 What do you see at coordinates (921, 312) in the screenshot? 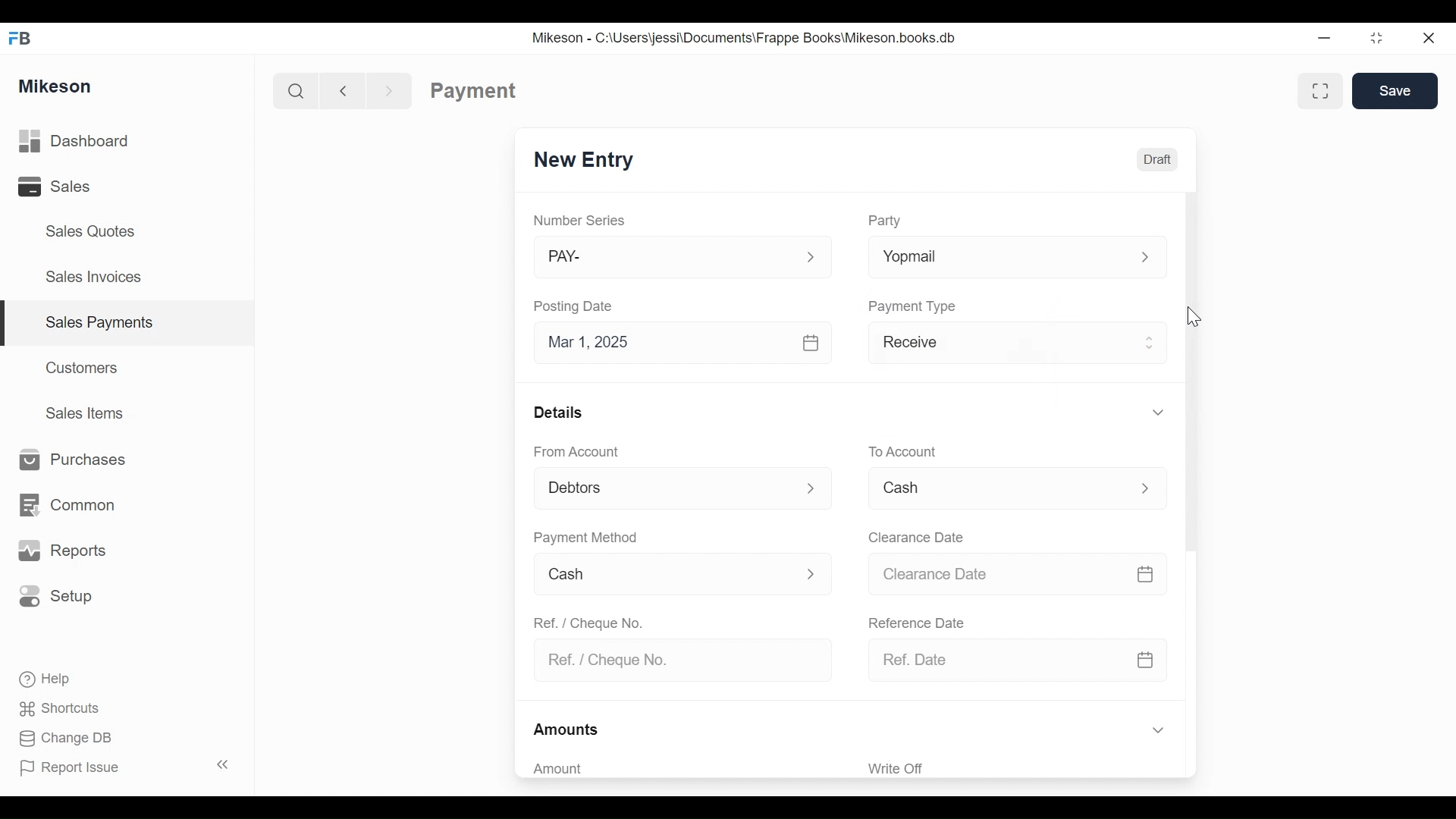
I see `Payment Type` at bounding box center [921, 312].